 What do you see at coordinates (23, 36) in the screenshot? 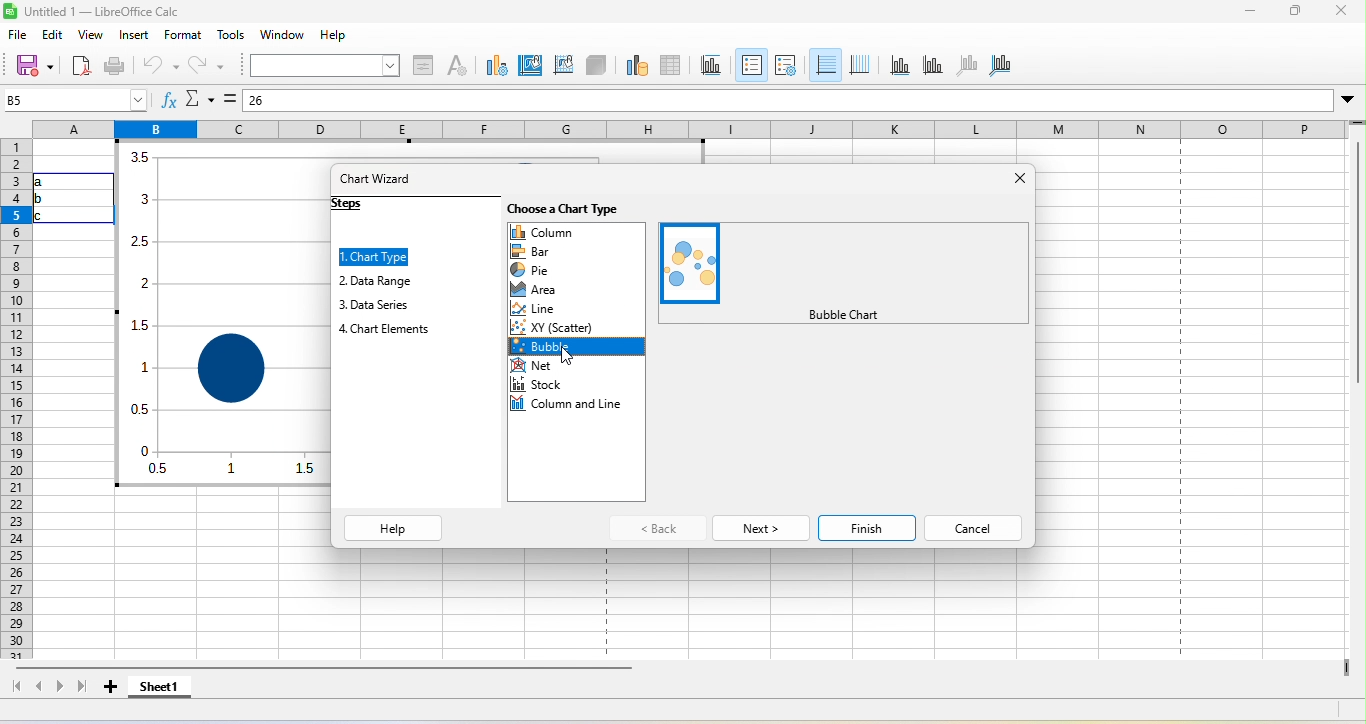
I see `file` at bounding box center [23, 36].